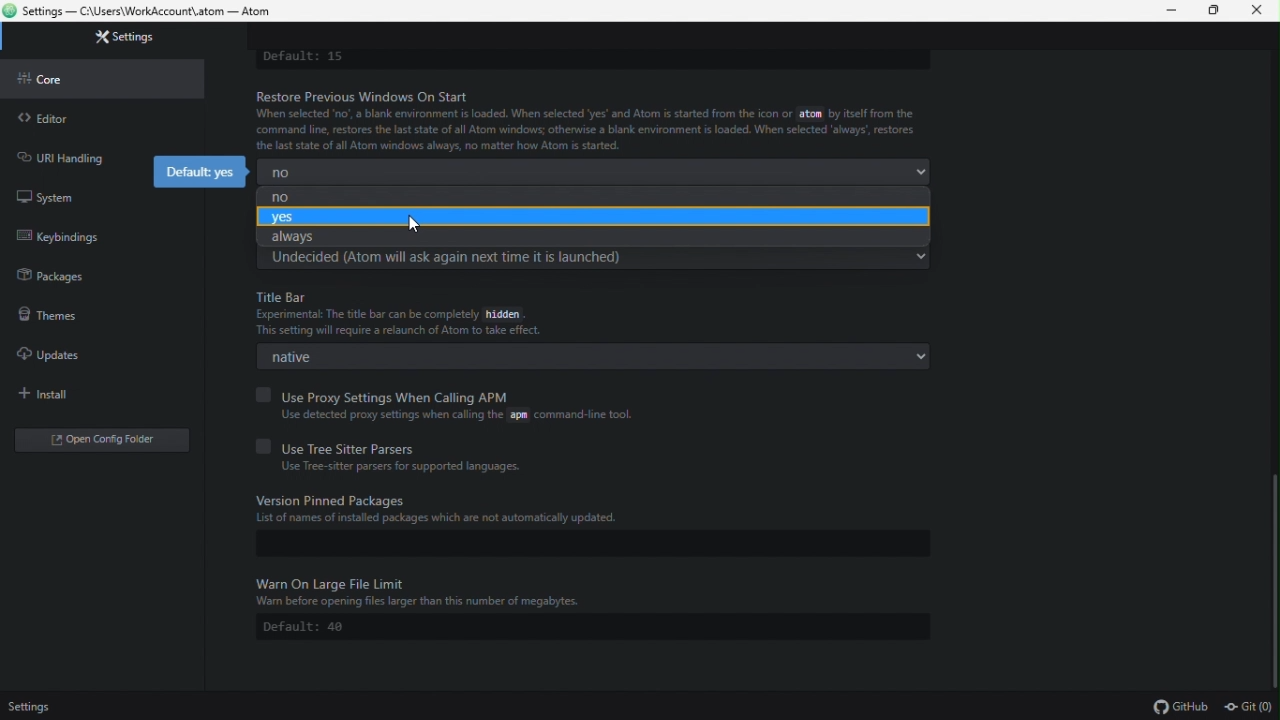  What do you see at coordinates (414, 226) in the screenshot?
I see `cursor` at bounding box center [414, 226].